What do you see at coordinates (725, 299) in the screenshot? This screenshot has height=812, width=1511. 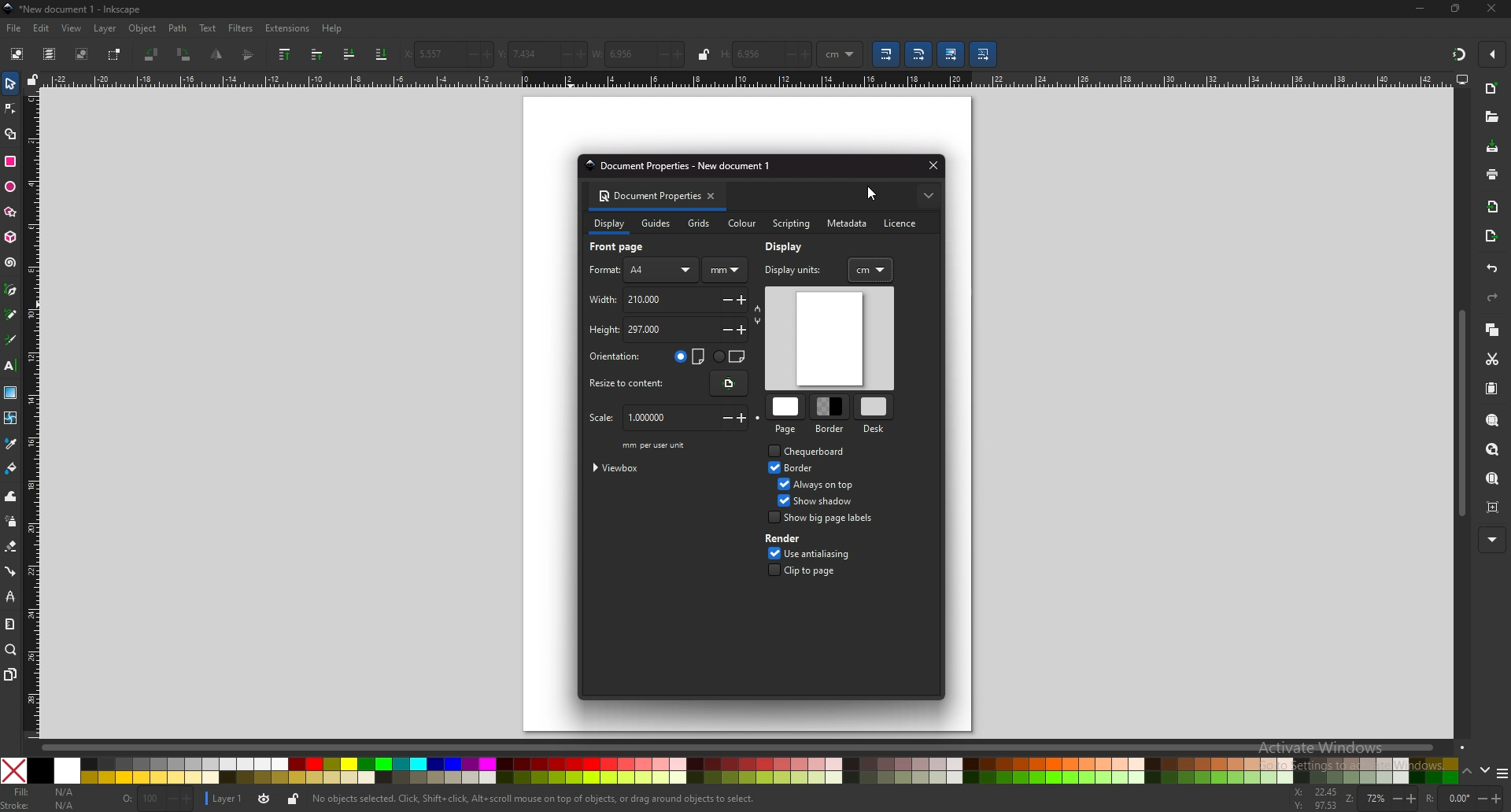 I see `-` at bounding box center [725, 299].